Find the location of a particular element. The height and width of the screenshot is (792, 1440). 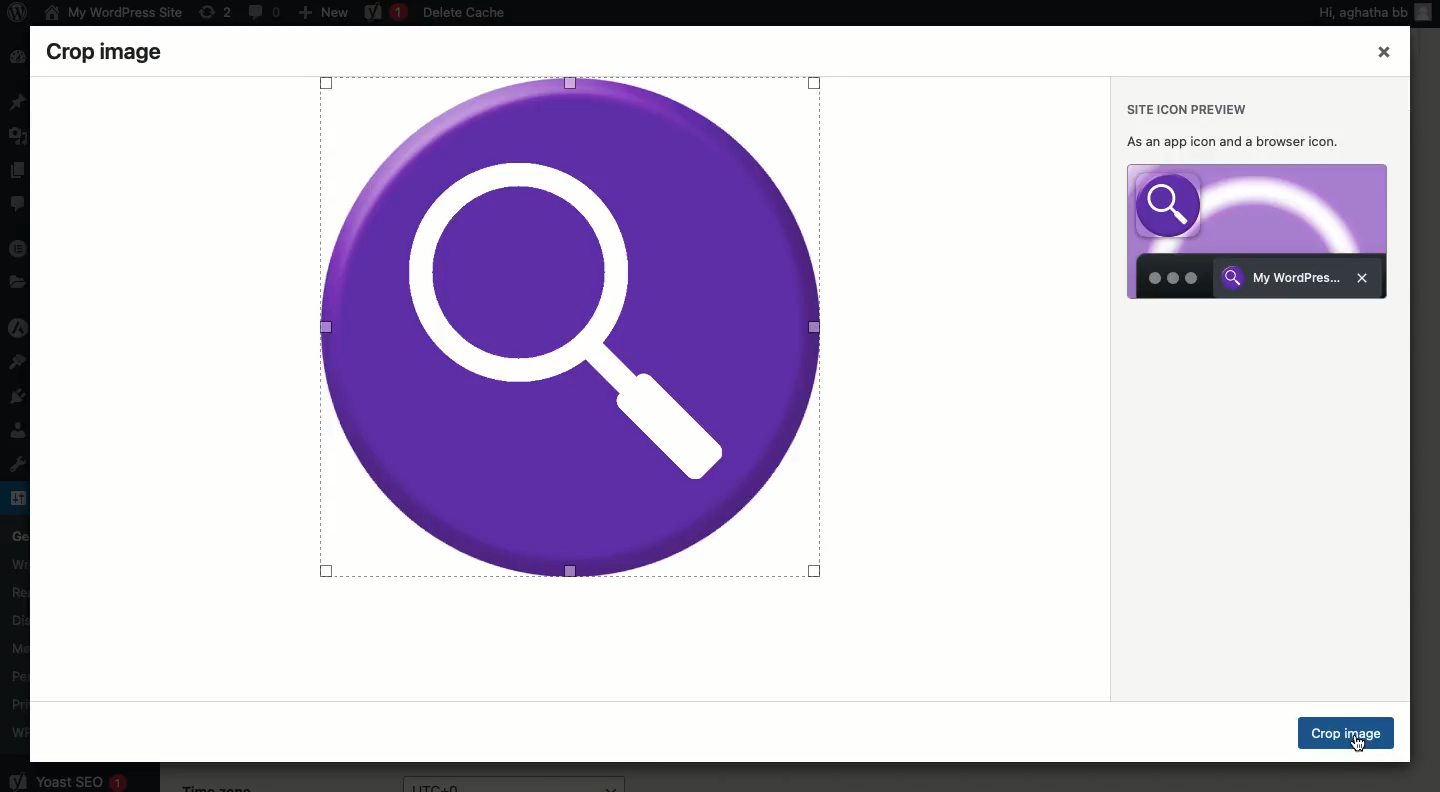

Image to be cropped is located at coordinates (568, 326).